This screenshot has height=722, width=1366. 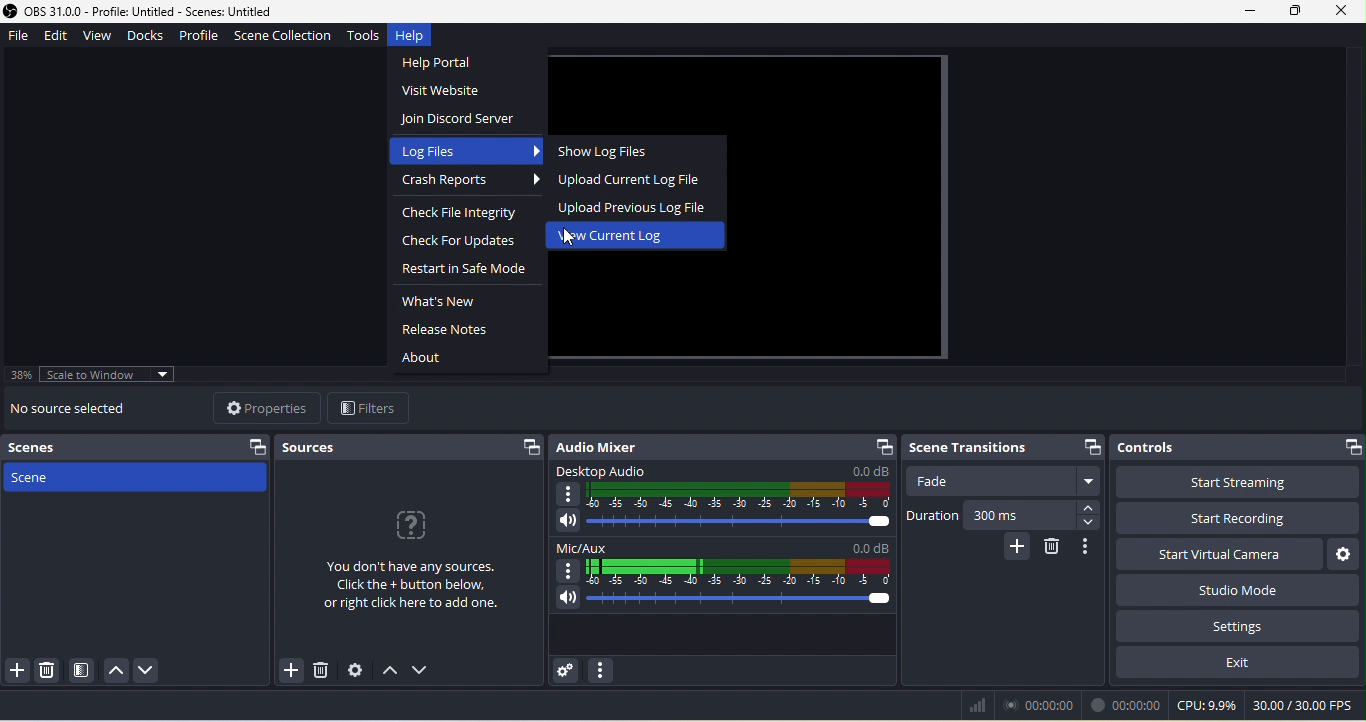 I want to click on volume, so click(x=724, y=602).